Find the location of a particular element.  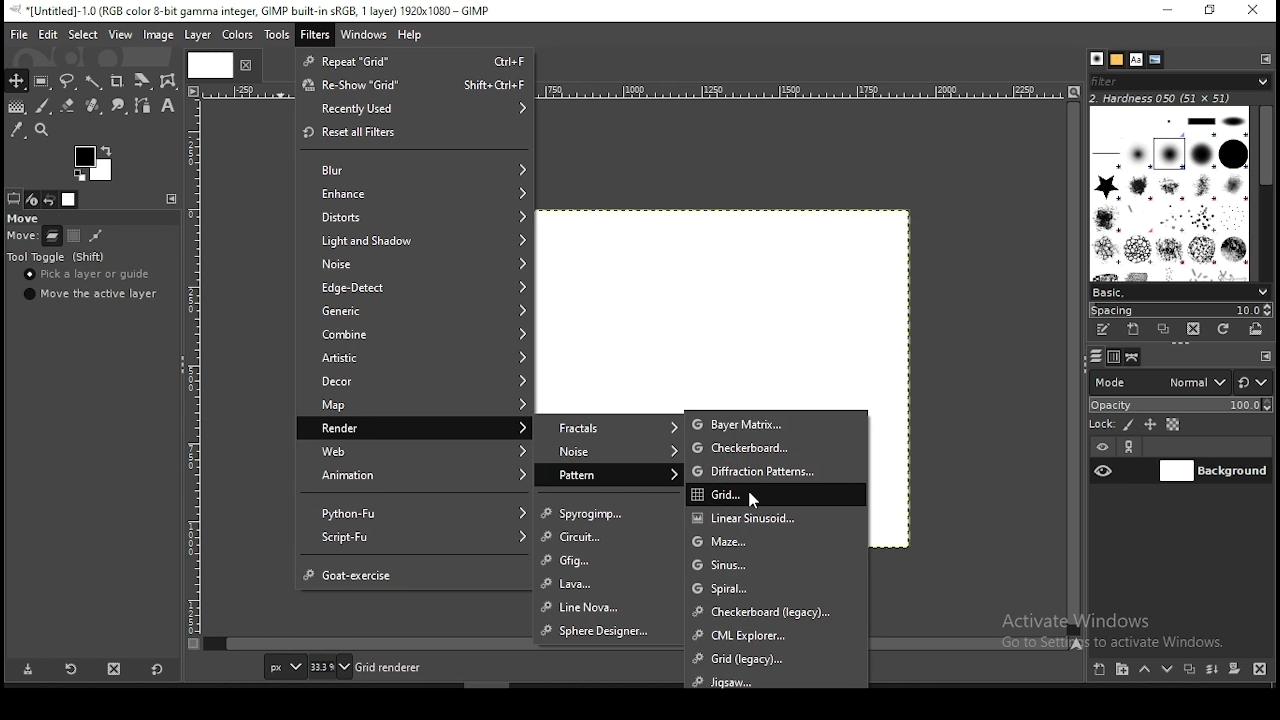

new layer group is located at coordinates (1126, 669).